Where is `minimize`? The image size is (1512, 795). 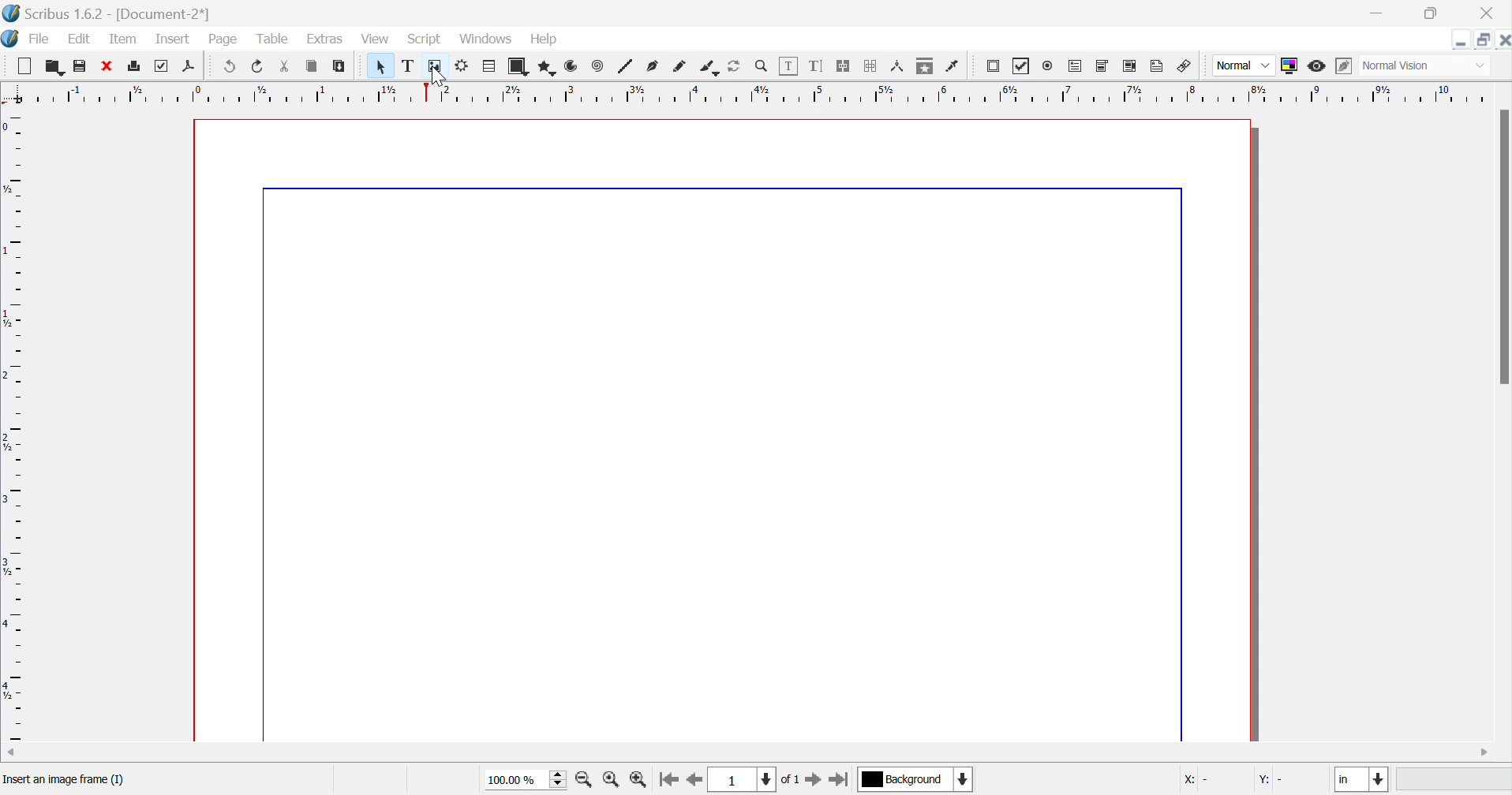 minimize is located at coordinates (1461, 39).